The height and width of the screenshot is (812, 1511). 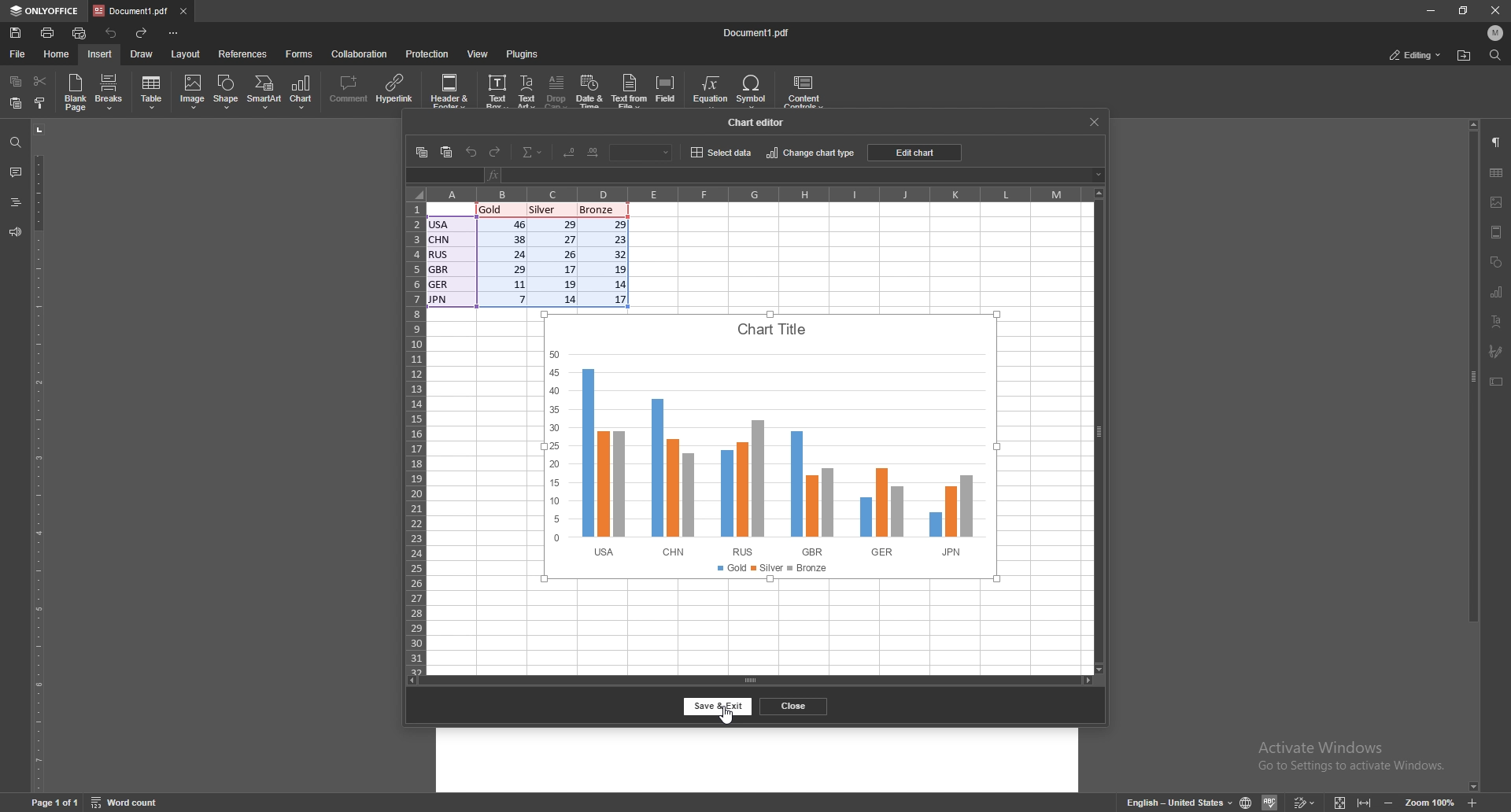 I want to click on 38, so click(x=513, y=239).